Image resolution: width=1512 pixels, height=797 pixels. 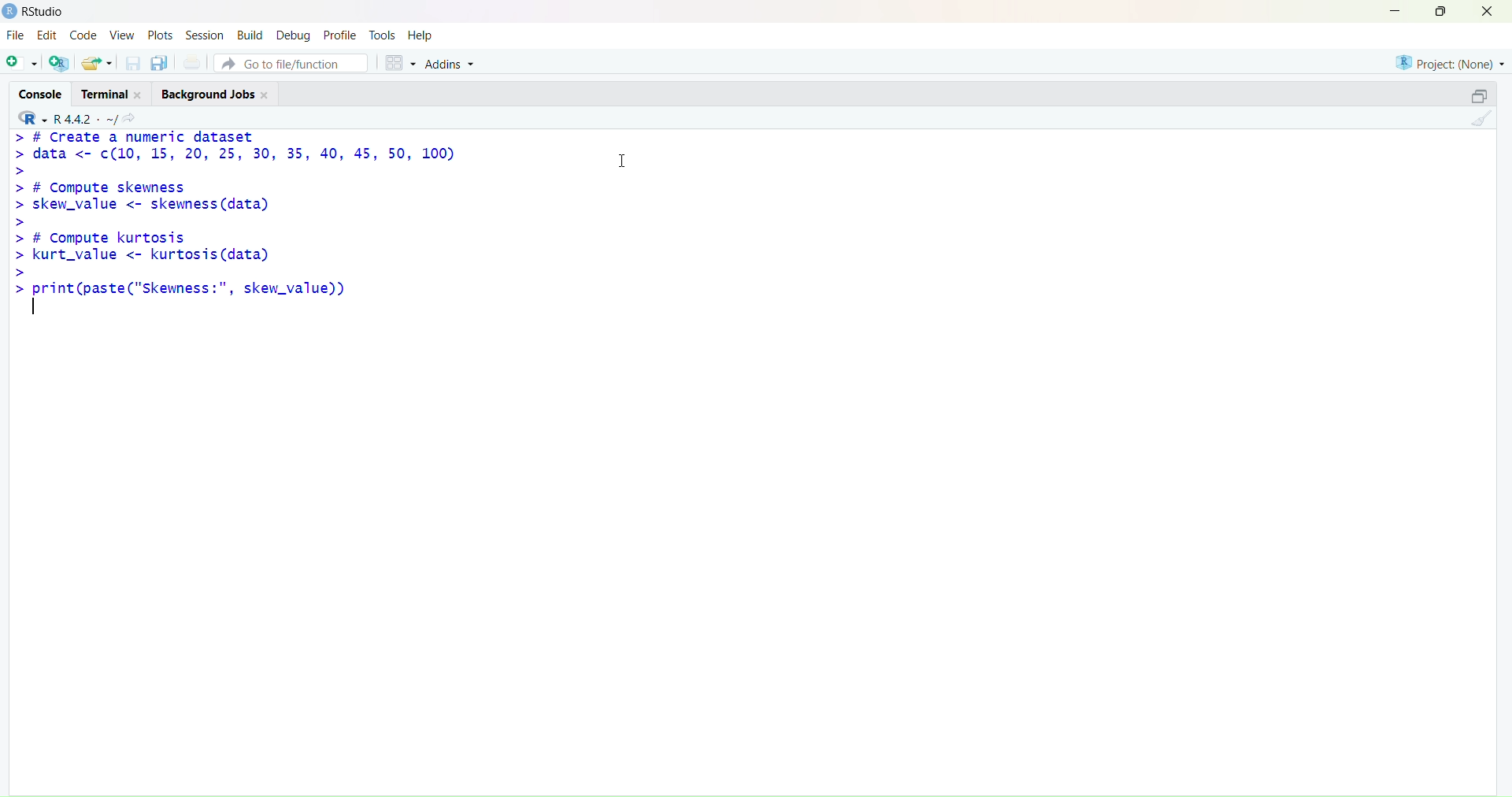 I want to click on Plots, so click(x=161, y=35).